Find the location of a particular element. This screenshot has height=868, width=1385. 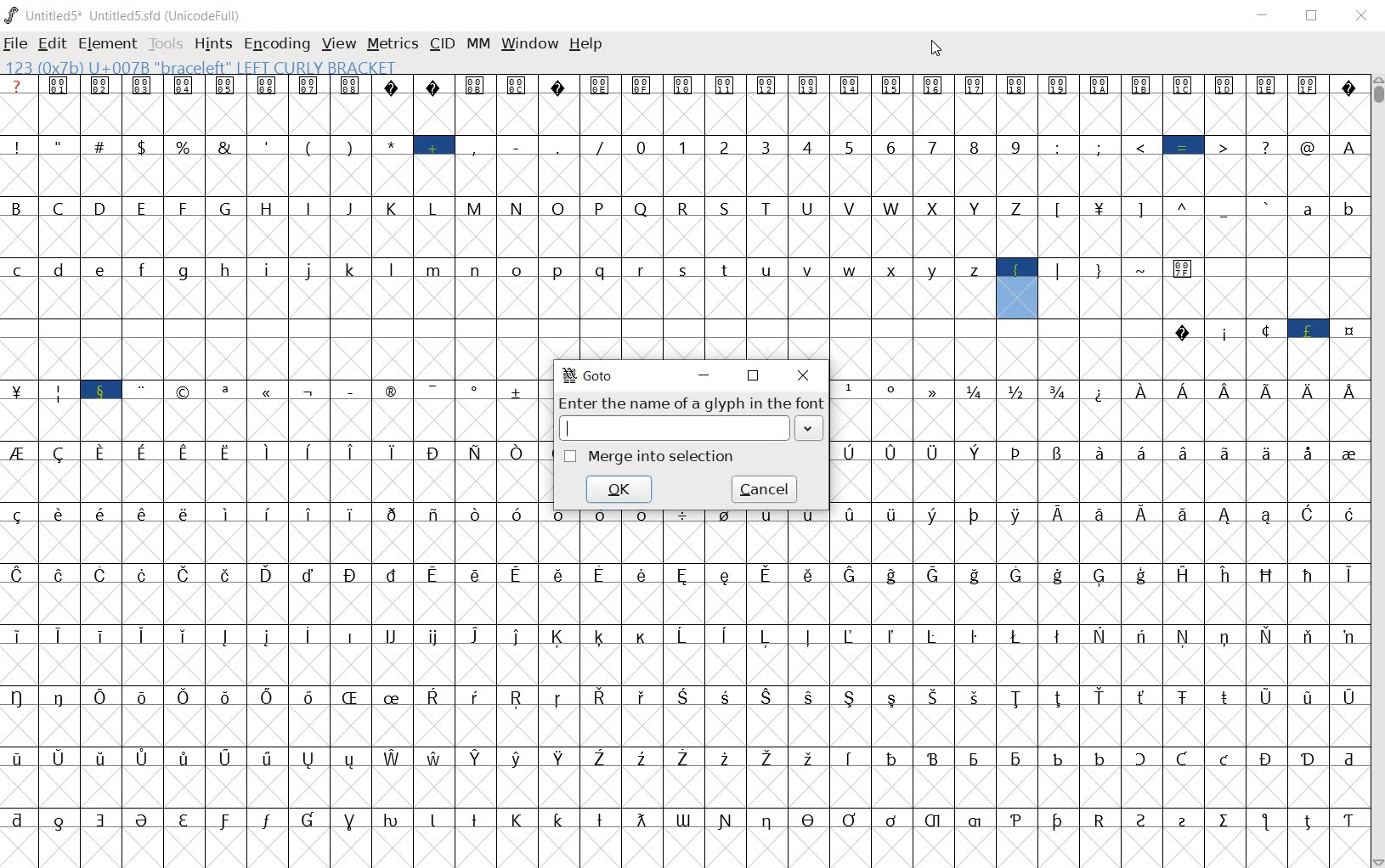

CLOSE is located at coordinates (1359, 15).